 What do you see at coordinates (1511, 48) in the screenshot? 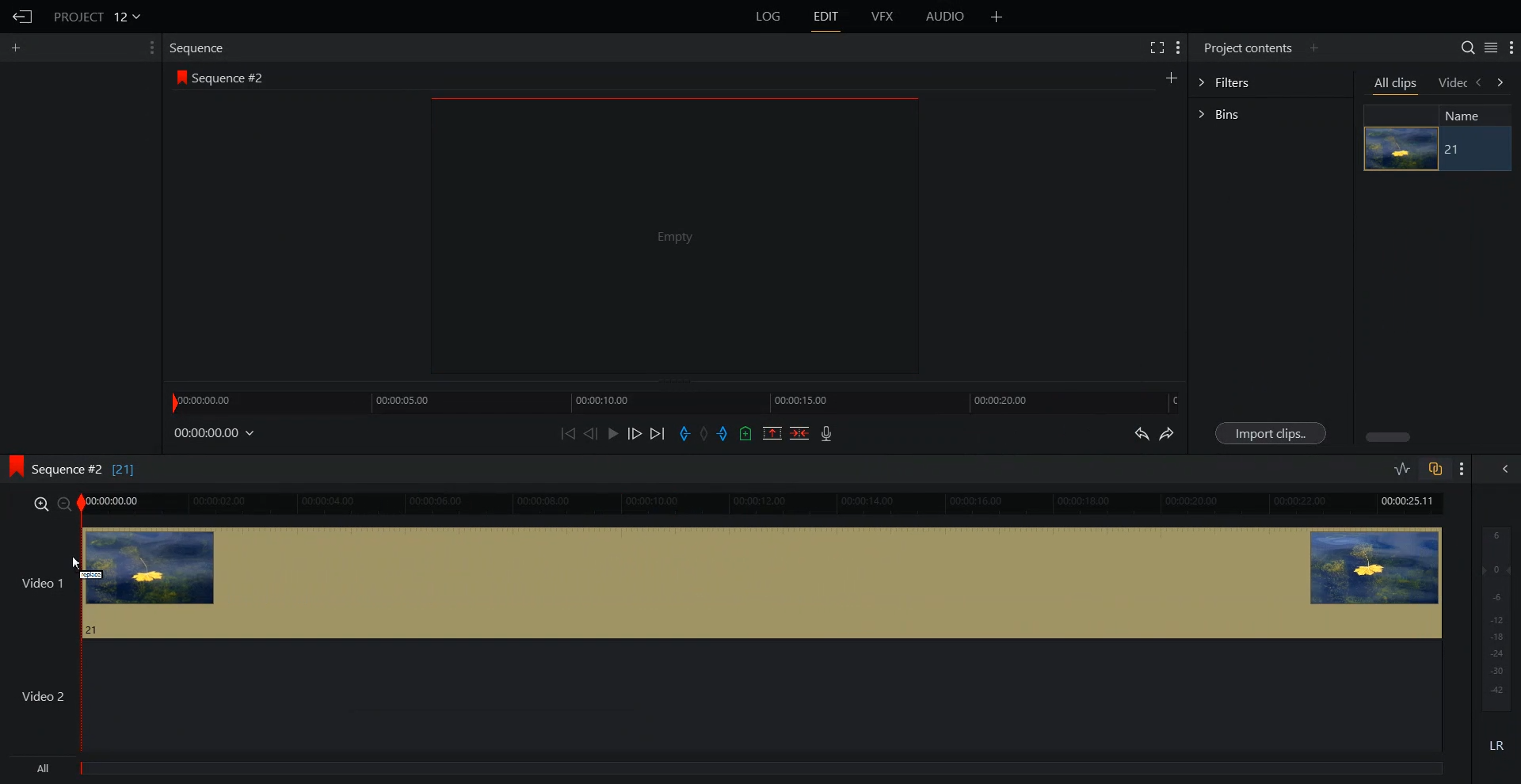
I see `Show Setting Menu` at bounding box center [1511, 48].